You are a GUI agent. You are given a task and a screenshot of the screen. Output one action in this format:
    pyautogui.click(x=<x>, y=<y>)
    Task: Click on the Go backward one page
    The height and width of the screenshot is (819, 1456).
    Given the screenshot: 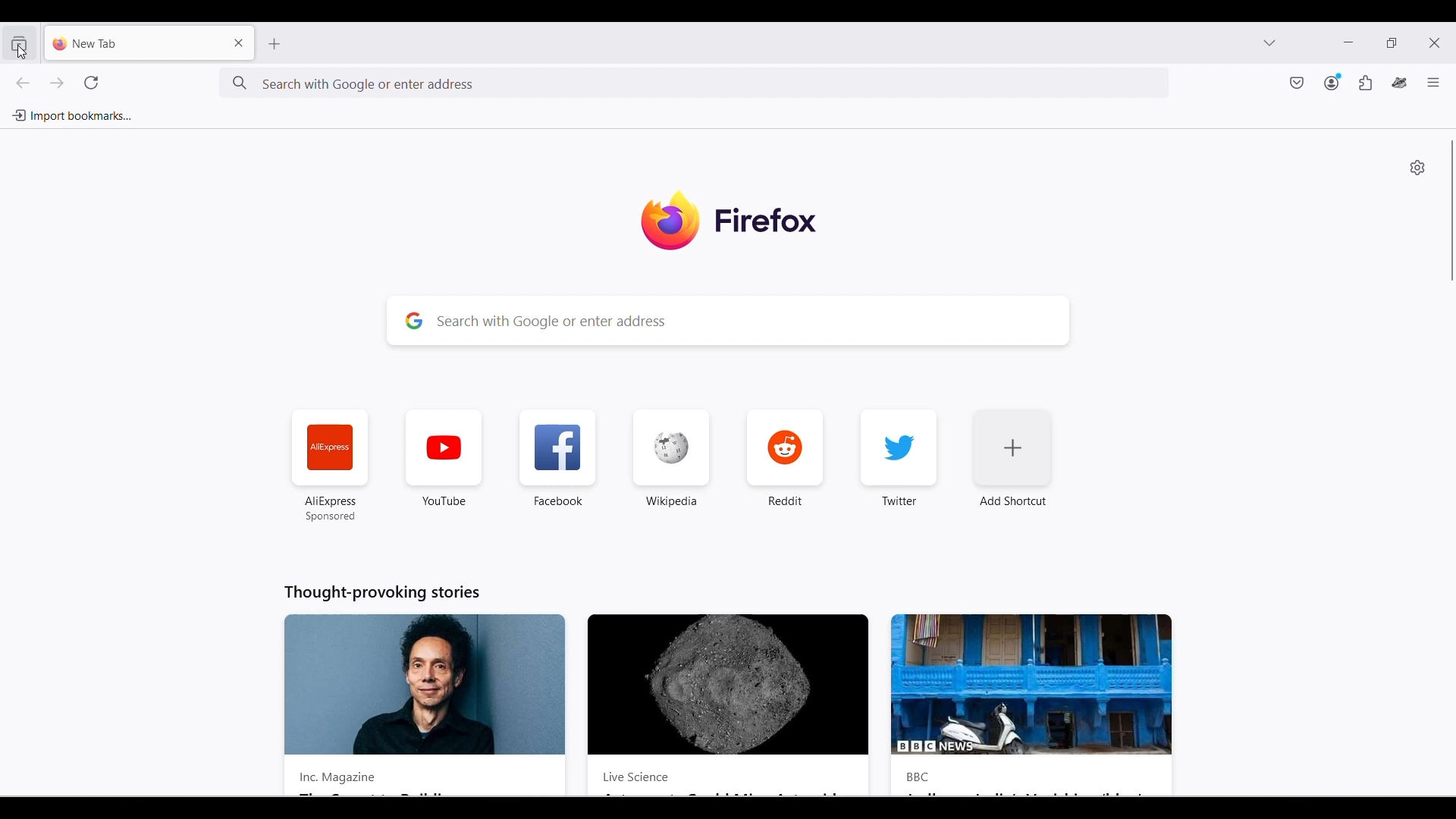 What is the action you would take?
    pyautogui.click(x=22, y=83)
    